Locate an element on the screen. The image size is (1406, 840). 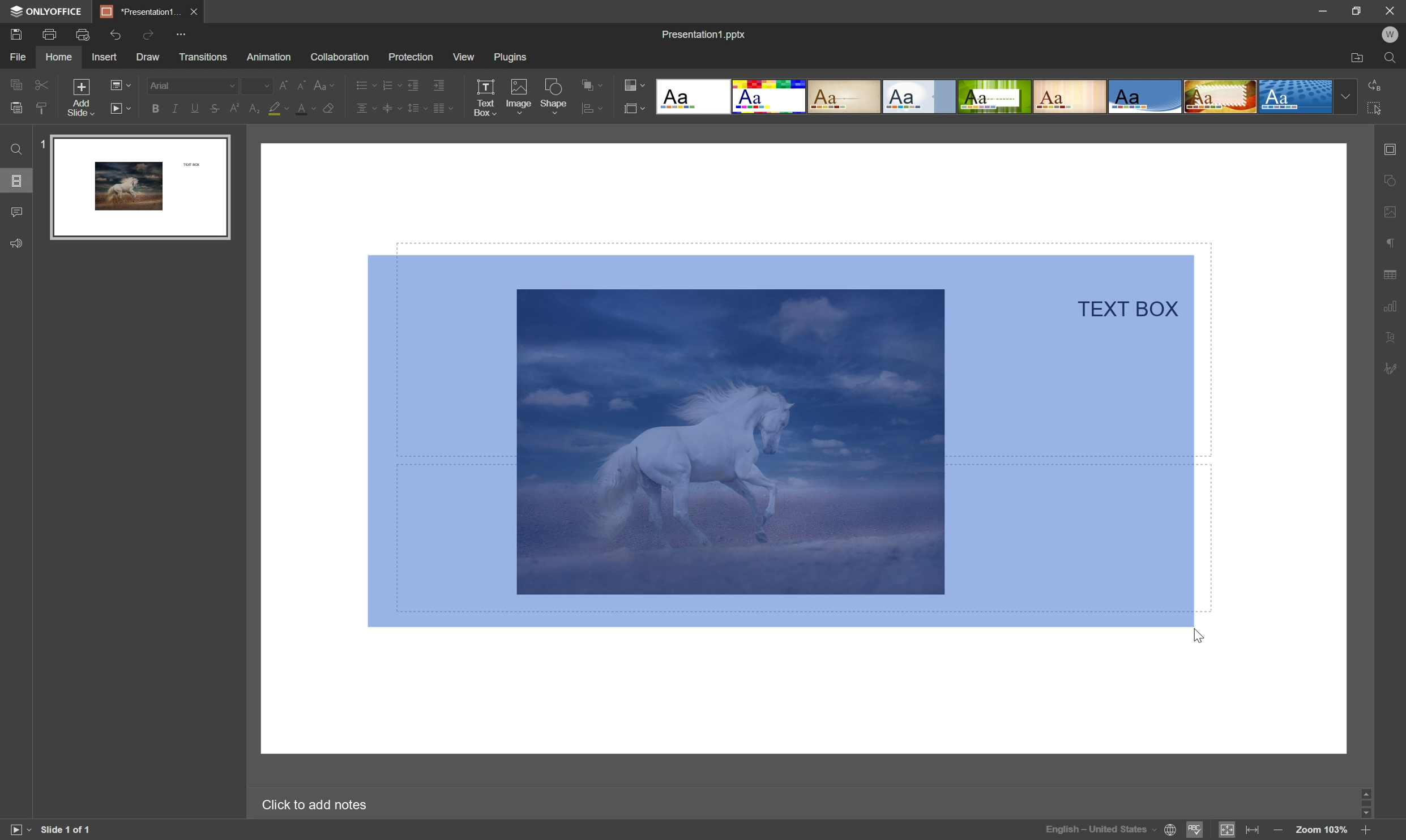
underline is located at coordinates (194, 110).